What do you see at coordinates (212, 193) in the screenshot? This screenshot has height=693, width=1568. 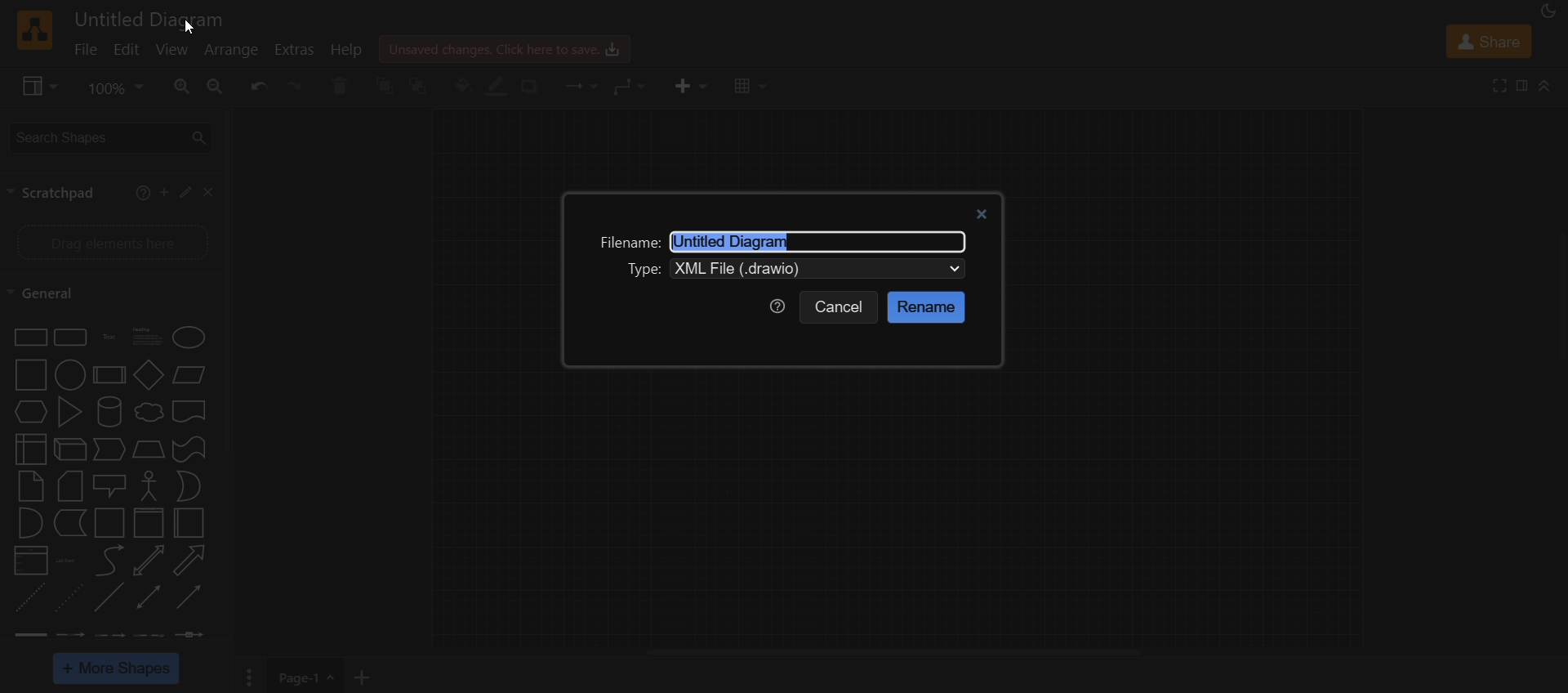 I see `close` at bounding box center [212, 193].